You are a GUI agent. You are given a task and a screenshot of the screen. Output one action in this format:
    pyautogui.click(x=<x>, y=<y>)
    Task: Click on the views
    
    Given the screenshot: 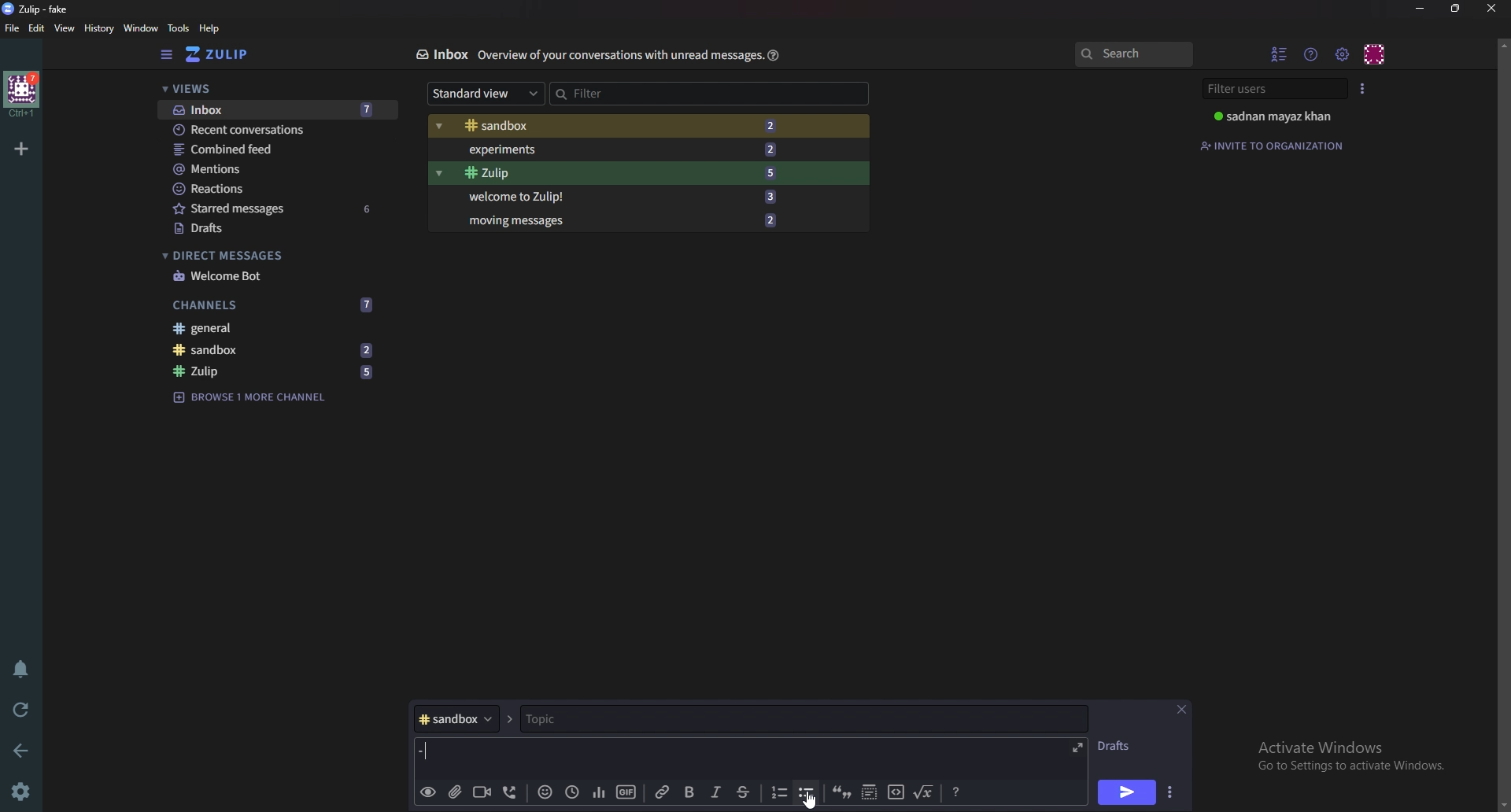 What is the action you would take?
    pyautogui.click(x=277, y=90)
    